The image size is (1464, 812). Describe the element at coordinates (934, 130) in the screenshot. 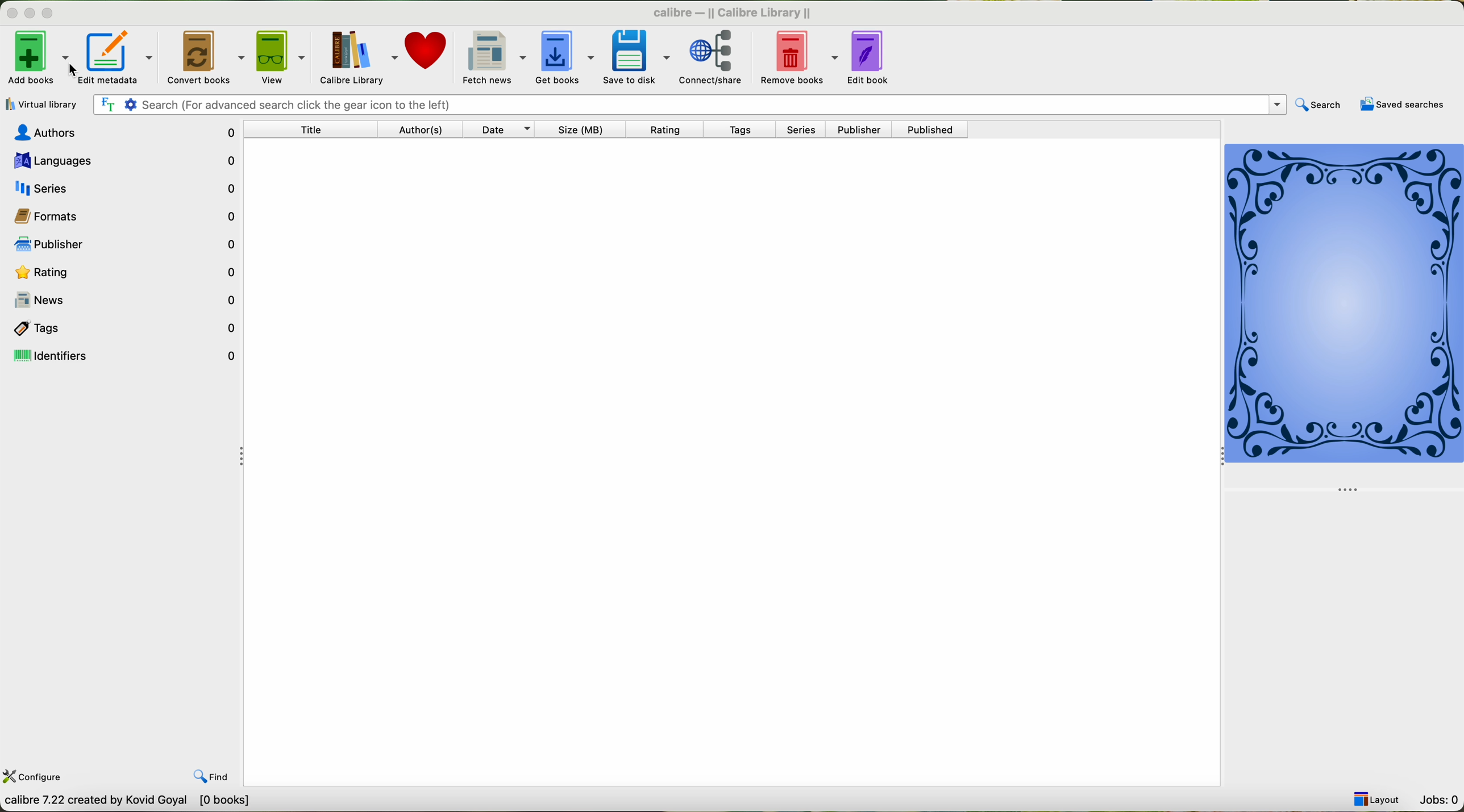

I see `published` at that location.